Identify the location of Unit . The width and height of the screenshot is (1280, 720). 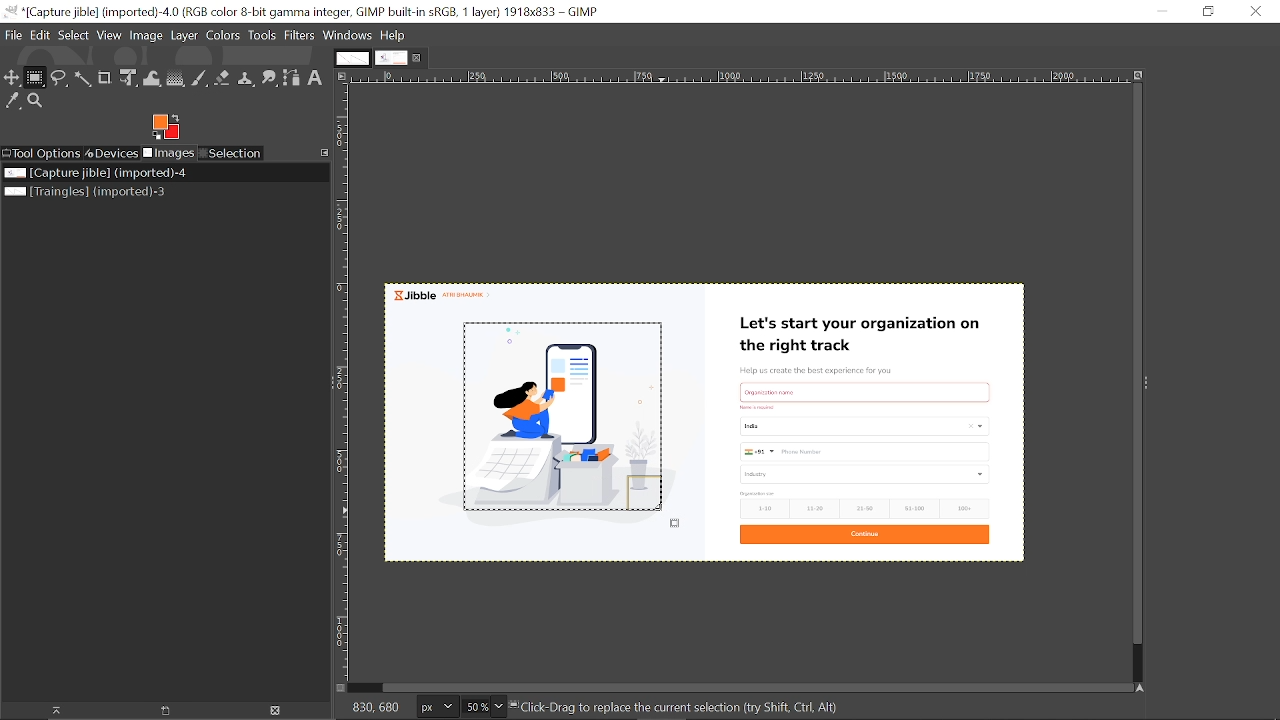
(438, 706).